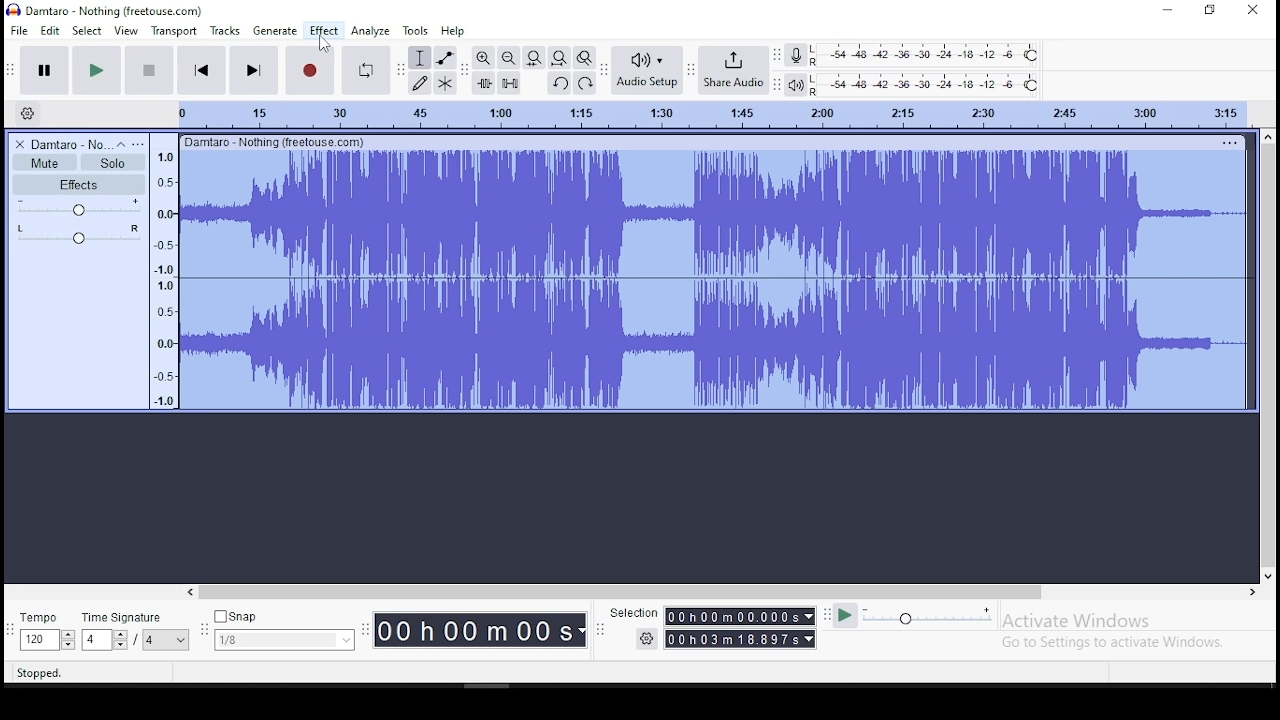 Image resolution: width=1280 pixels, height=720 pixels. Describe the element at coordinates (77, 208) in the screenshot. I see `volume` at that location.